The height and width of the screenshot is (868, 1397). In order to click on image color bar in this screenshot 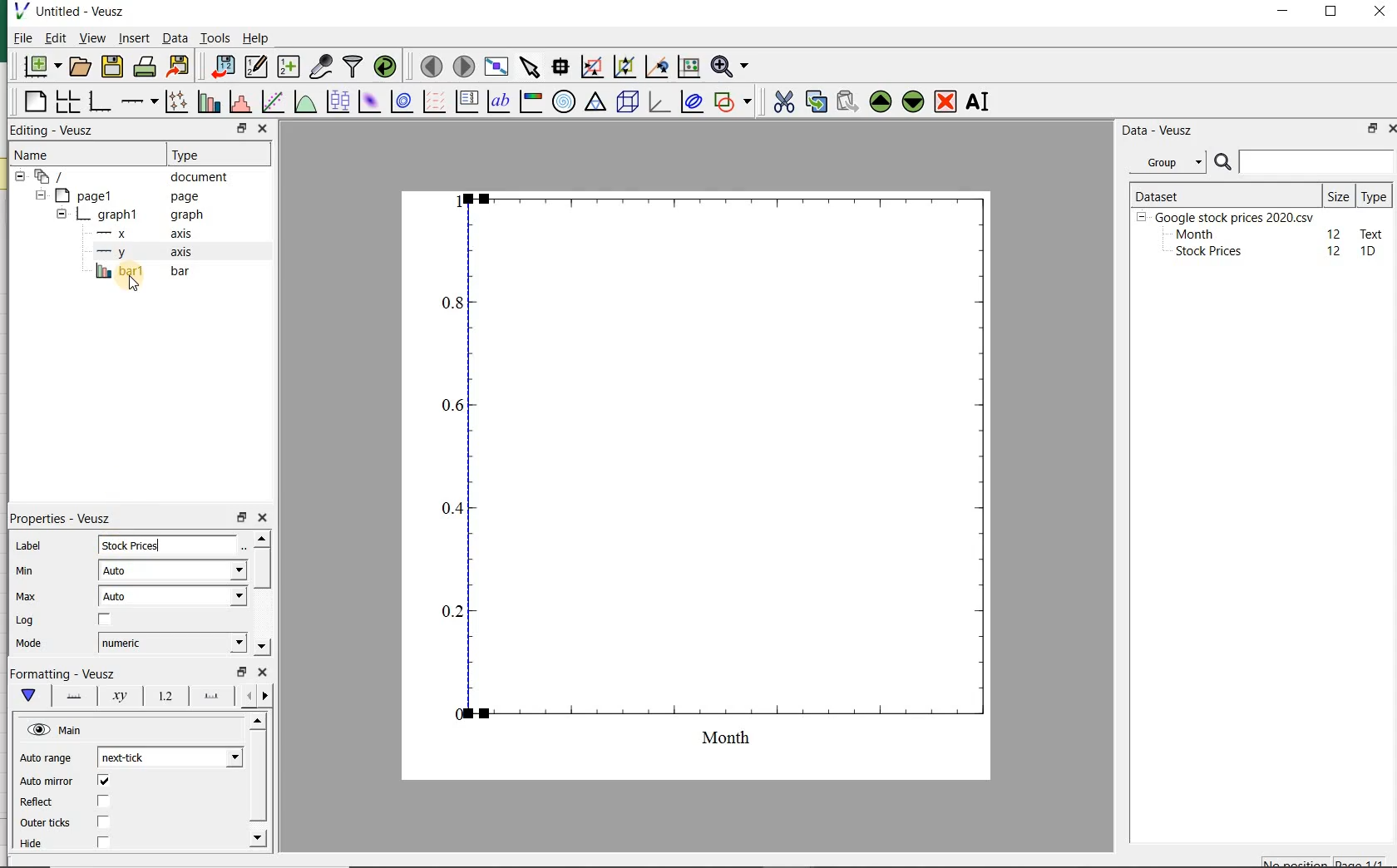, I will do `click(529, 101)`.